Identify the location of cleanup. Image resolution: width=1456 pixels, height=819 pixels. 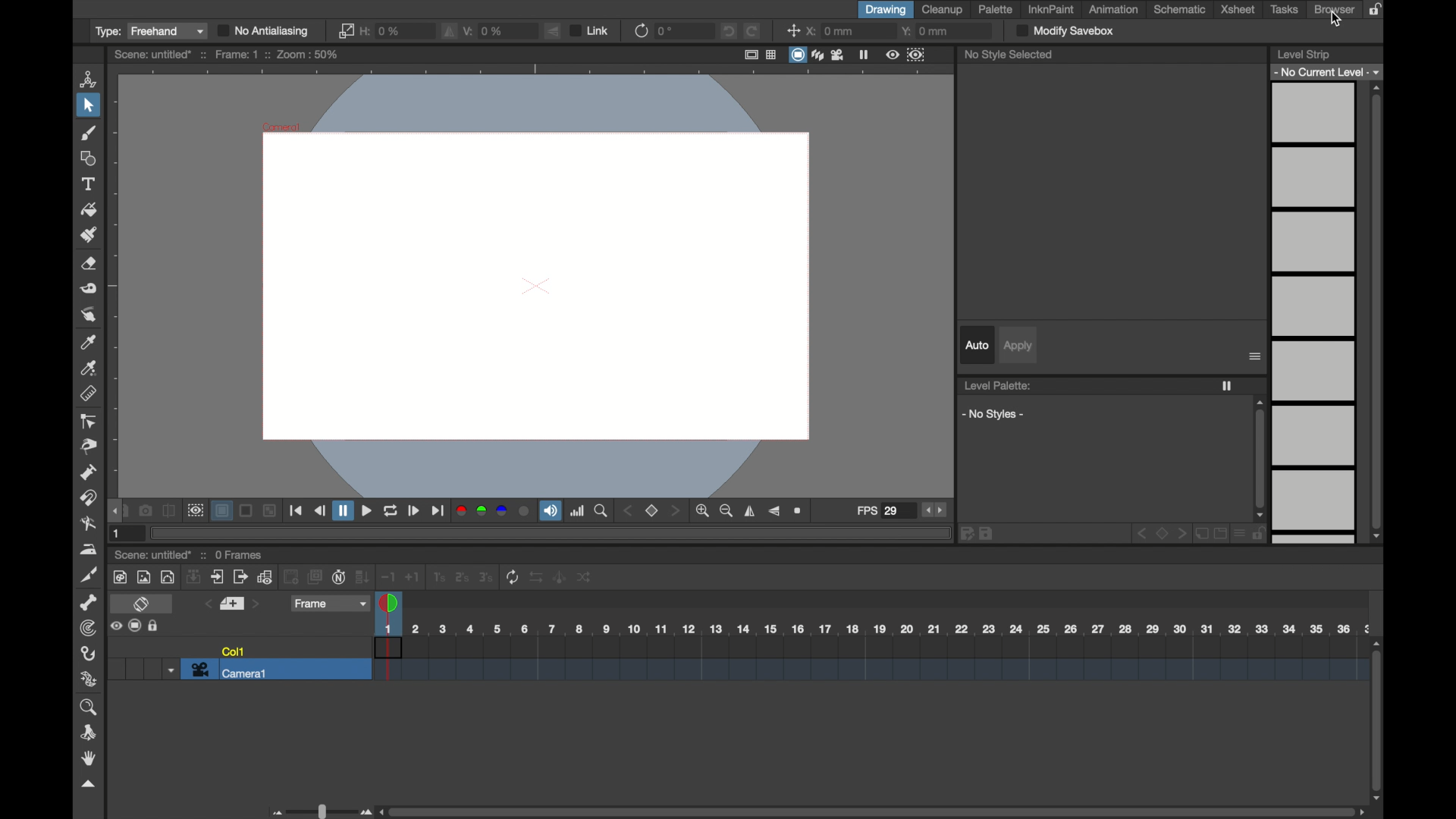
(945, 10).